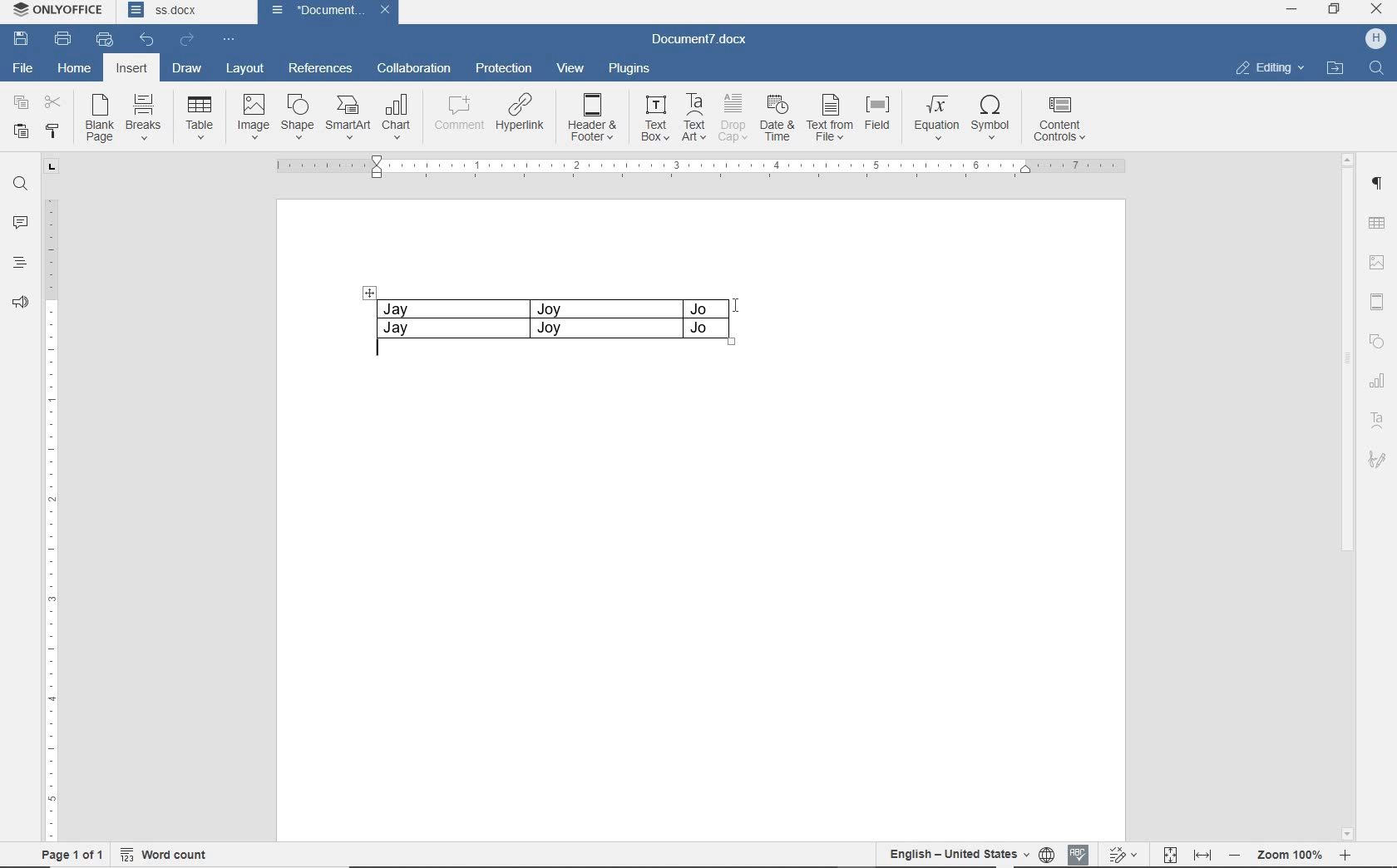 This screenshot has height=868, width=1397. I want to click on COLUMN RESIZED TO FIT TEXT, so click(694, 320).